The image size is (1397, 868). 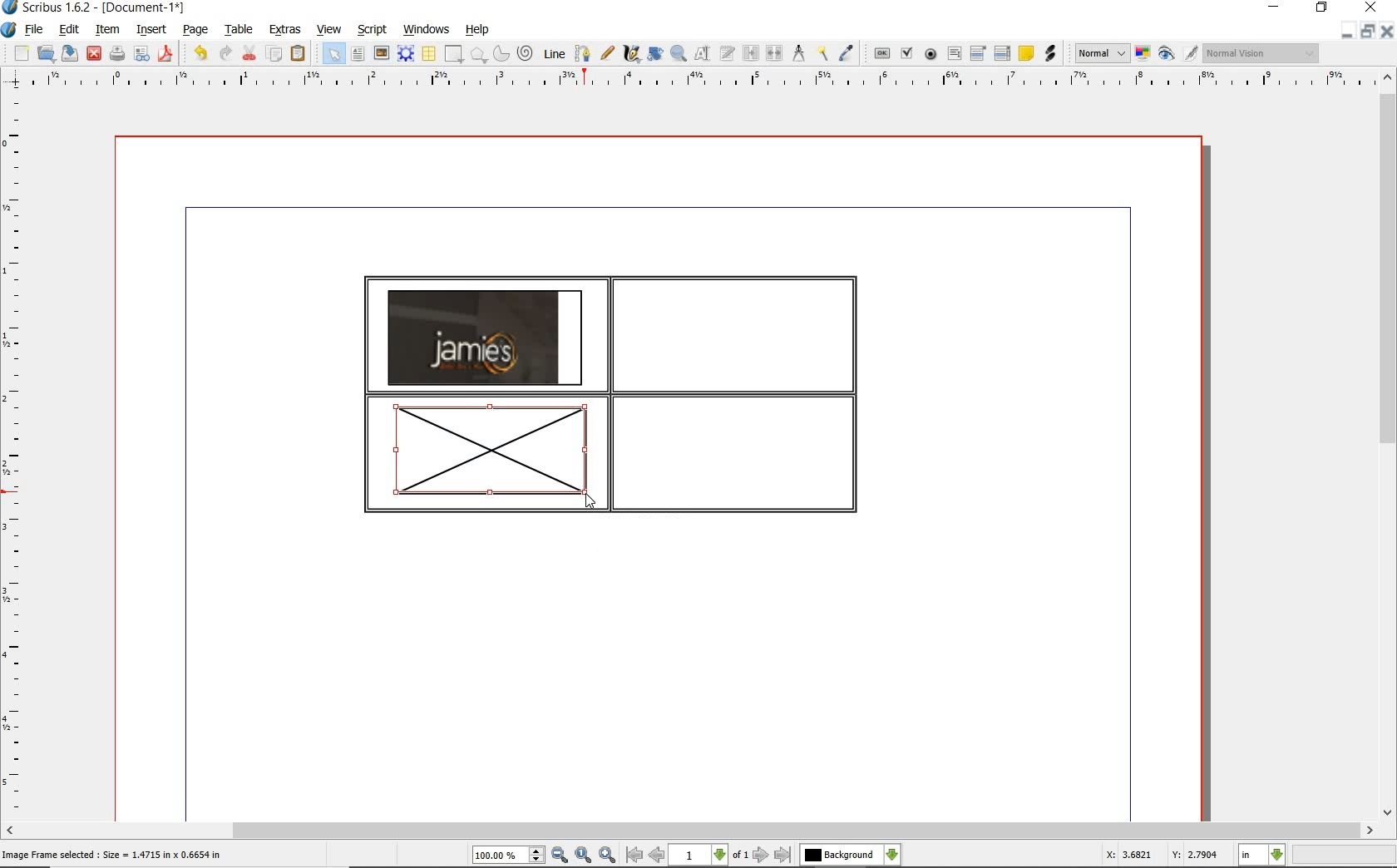 I want to click on edit text with story editor, so click(x=728, y=52).